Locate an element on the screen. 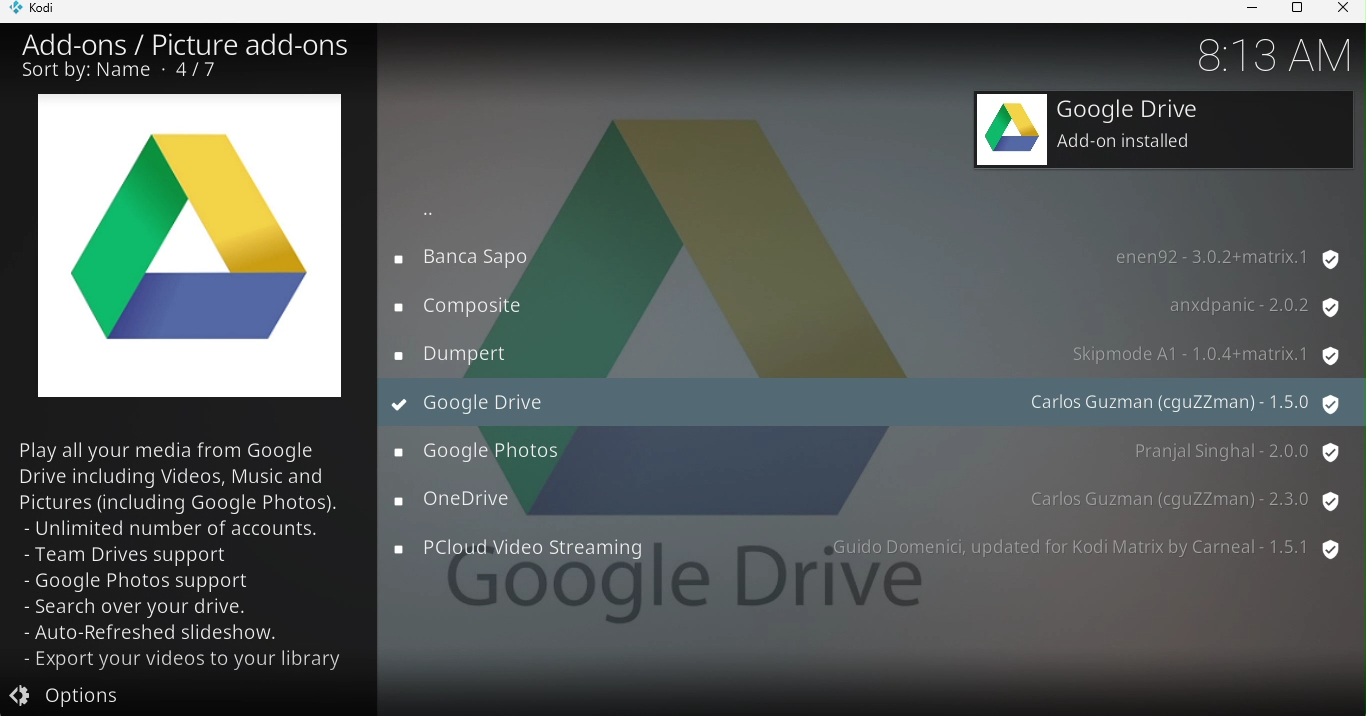 The width and height of the screenshot is (1366, 716). Time is located at coordinates (1263, 55).